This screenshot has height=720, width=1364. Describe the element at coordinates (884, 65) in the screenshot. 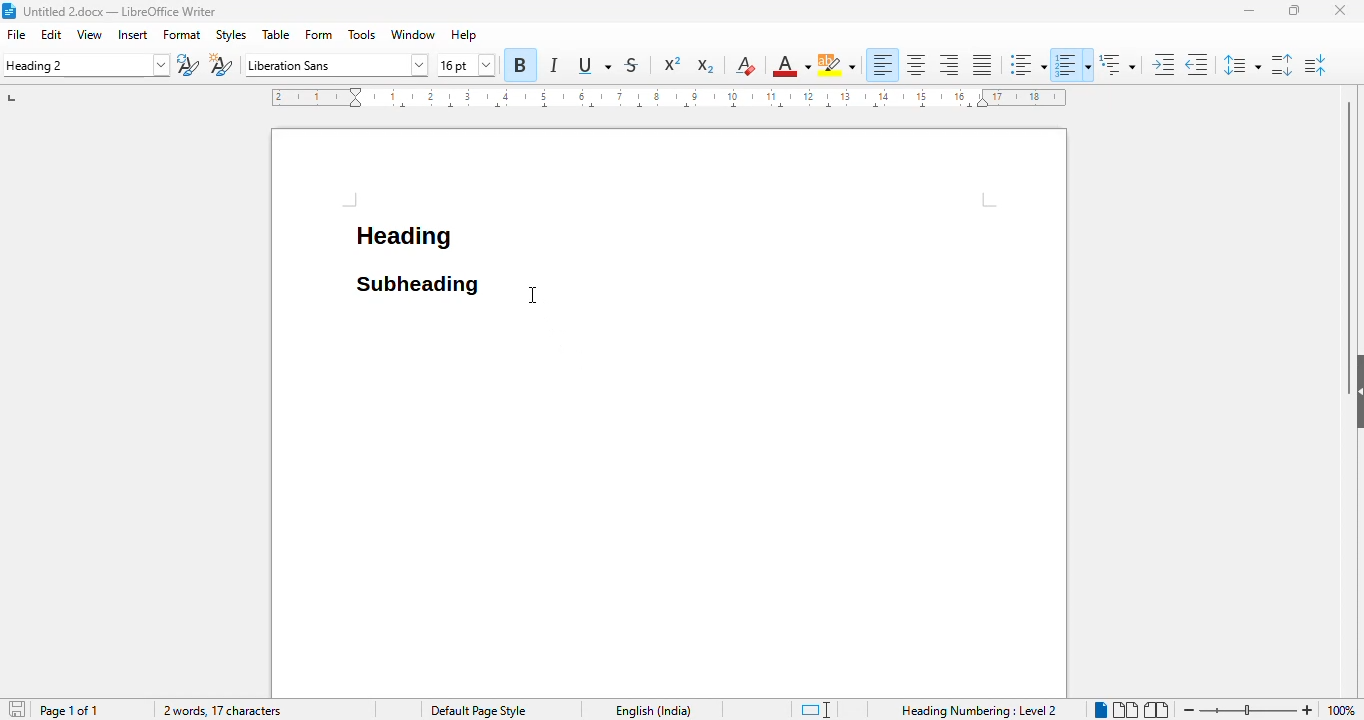

I see `align left` at that location.